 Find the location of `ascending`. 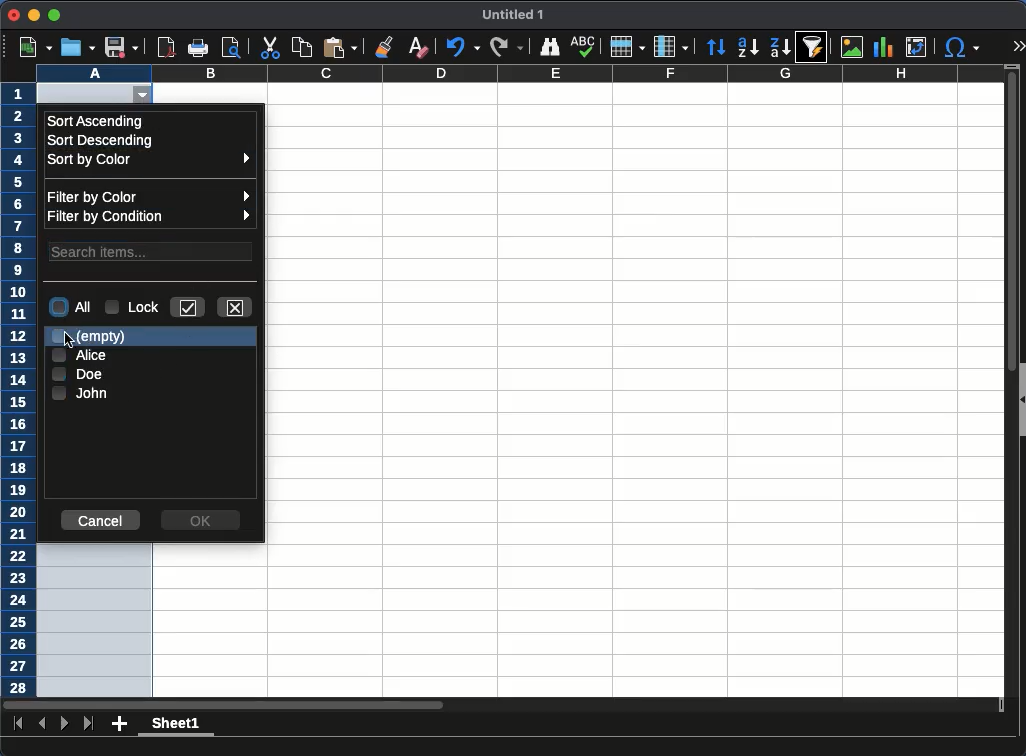

ascending is located at coordinates (748, 48).